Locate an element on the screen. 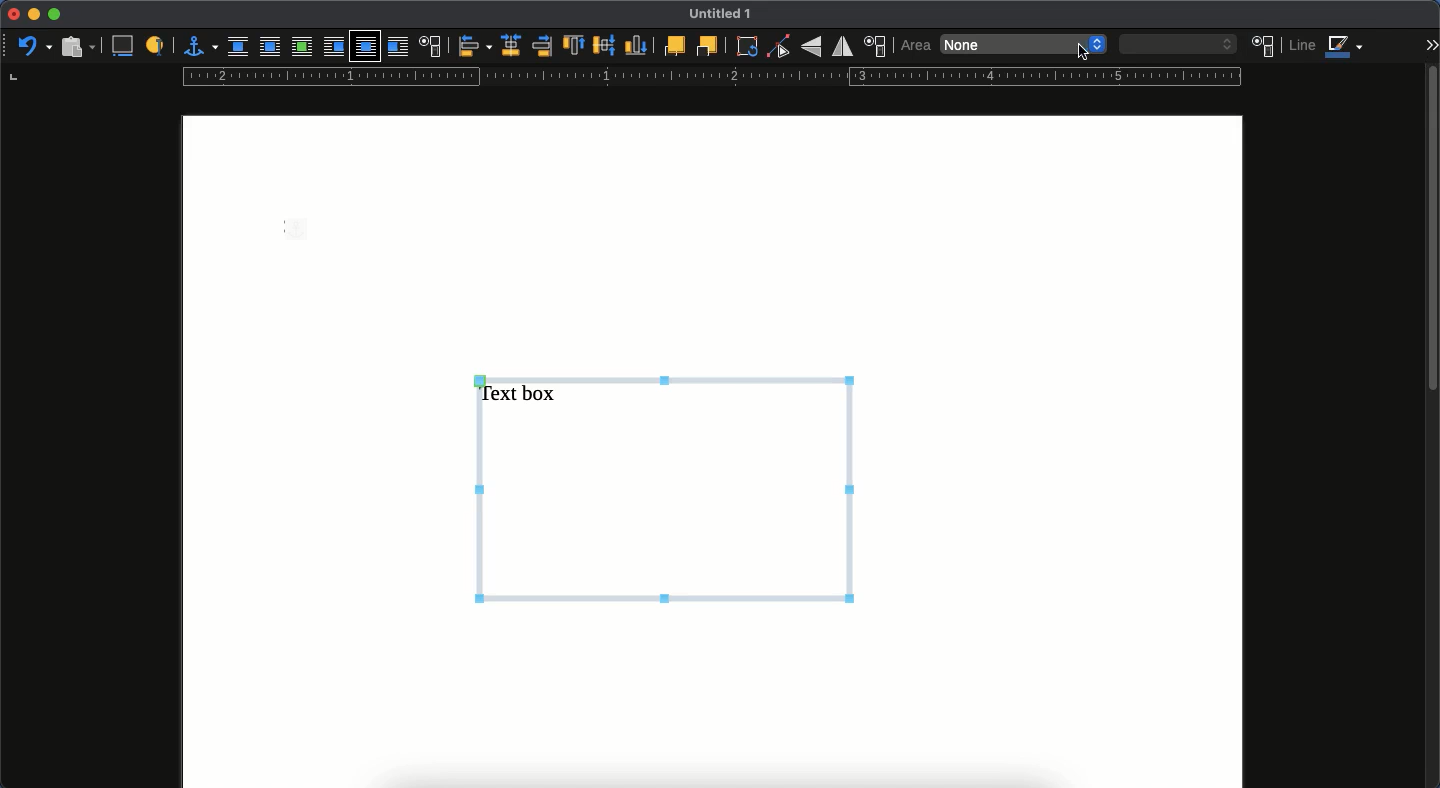  point end mode is located at coordinates (779, 47).